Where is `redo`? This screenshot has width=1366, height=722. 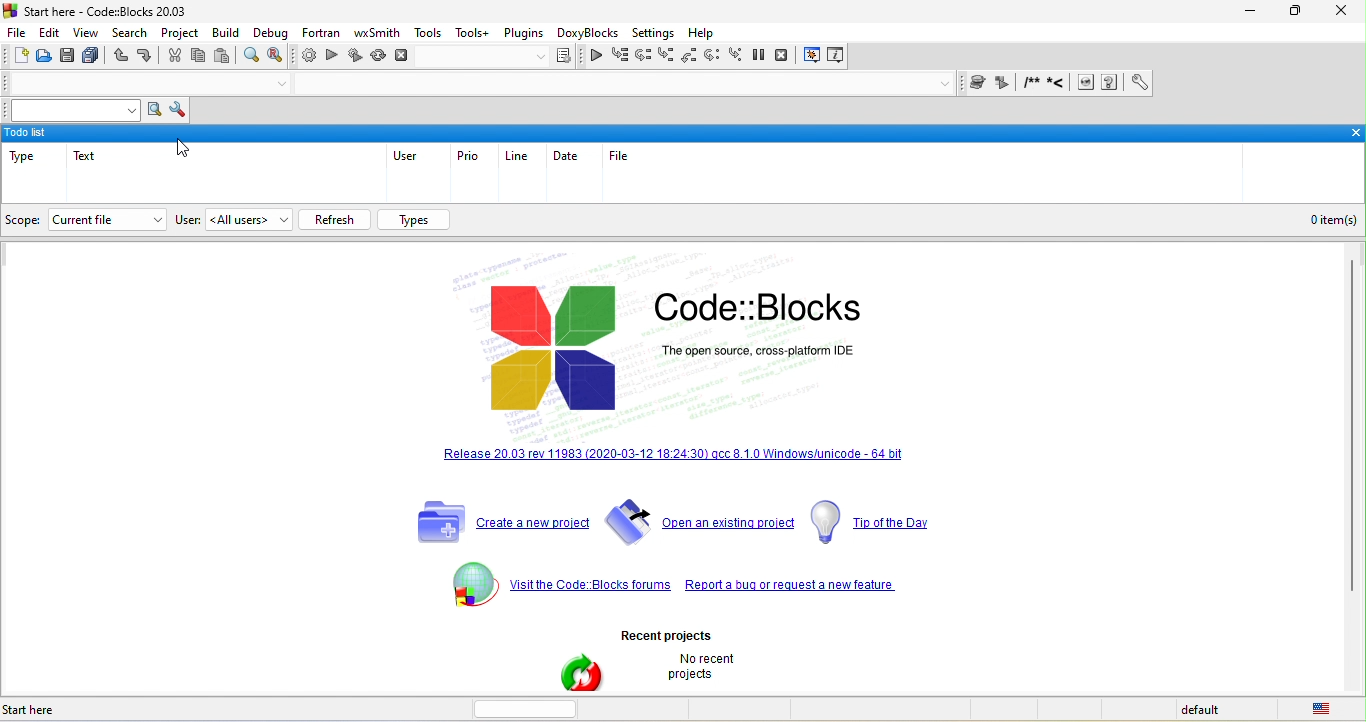 redo is located at coordinates (145, 58).